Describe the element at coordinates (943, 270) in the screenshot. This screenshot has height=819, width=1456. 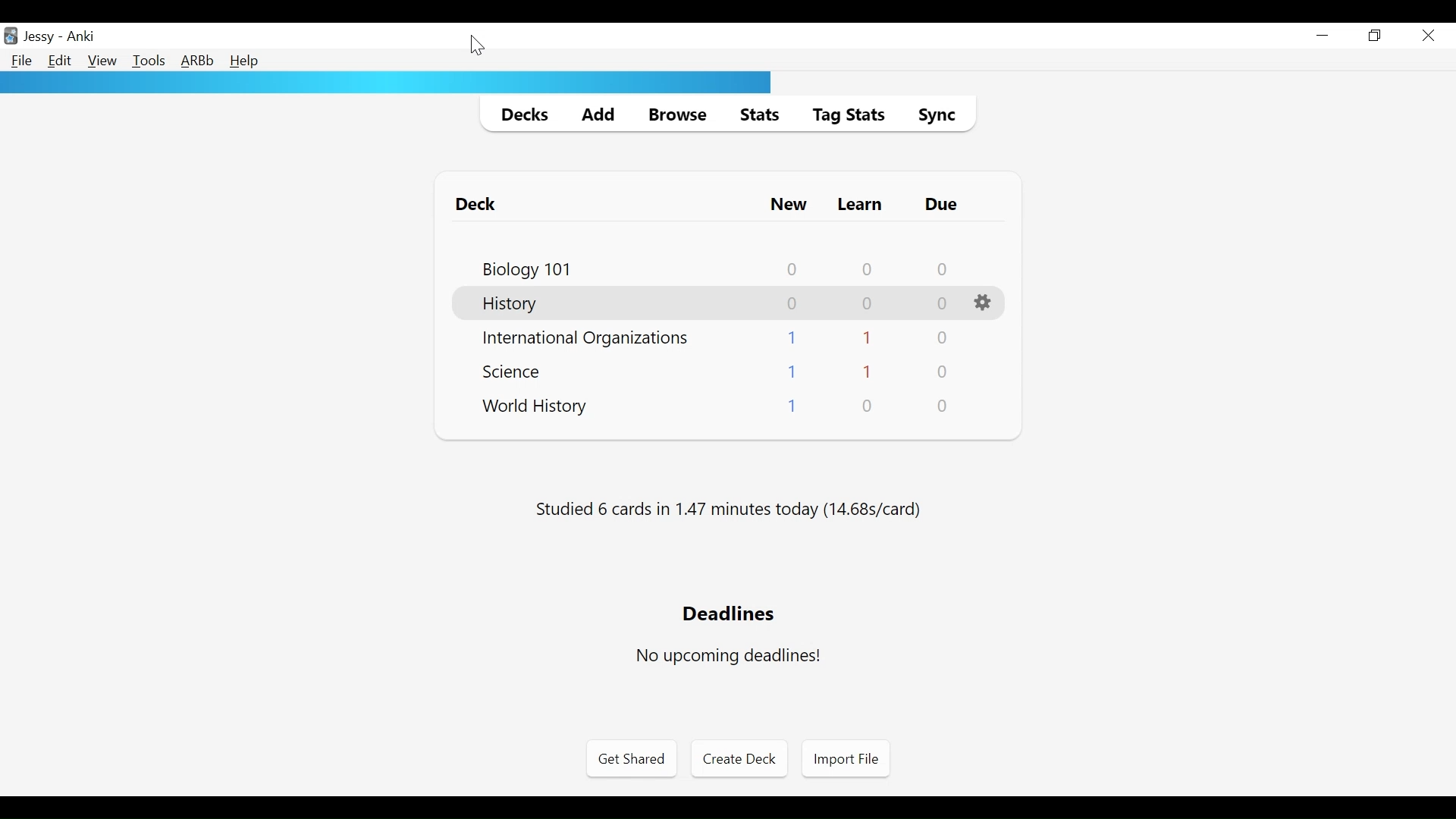
I see `Due Card Count` at that location.